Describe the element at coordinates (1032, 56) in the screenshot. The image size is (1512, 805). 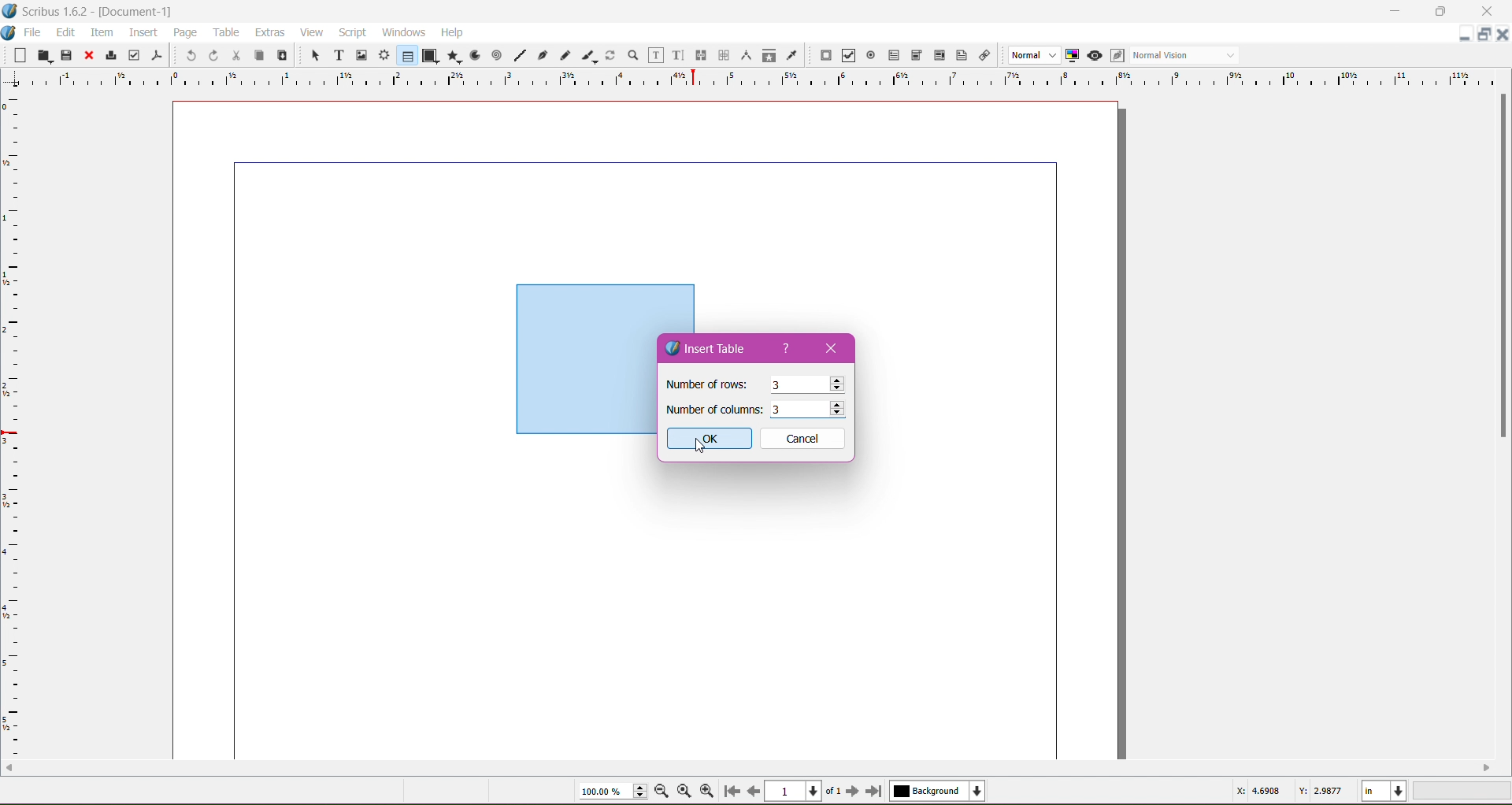
I see `Normal` at that location.